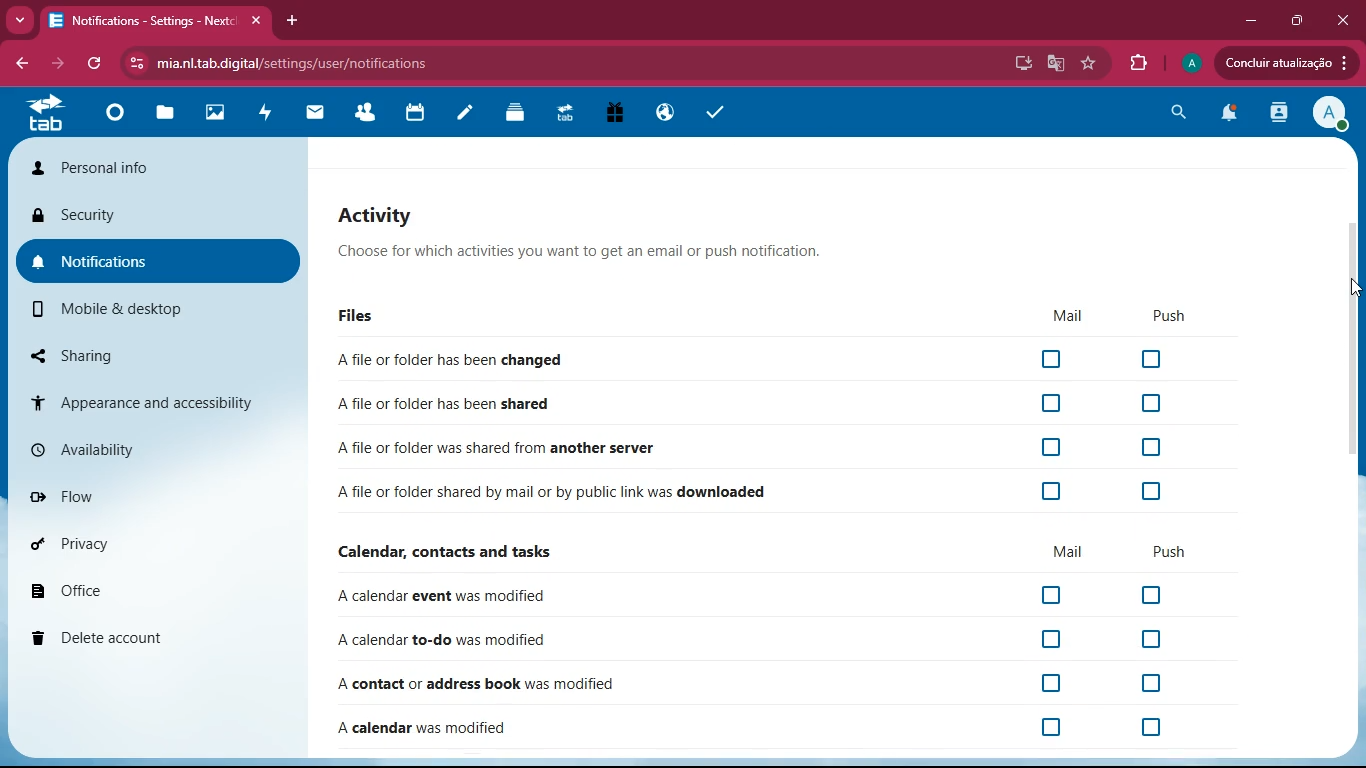  I want to click on delete account, so click(158, 637).